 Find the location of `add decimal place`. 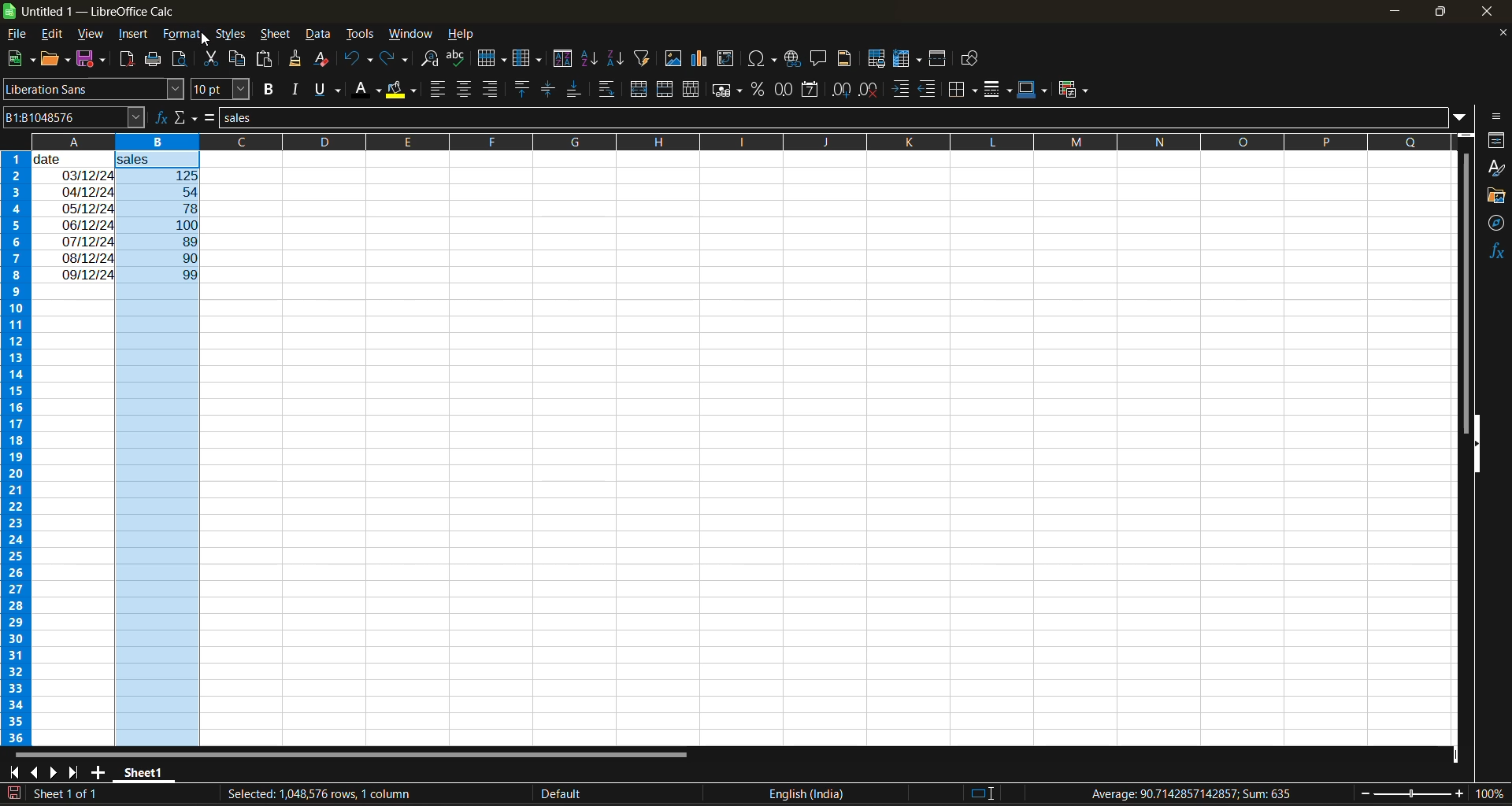

add decimal place is located at coordinates (839, 91).